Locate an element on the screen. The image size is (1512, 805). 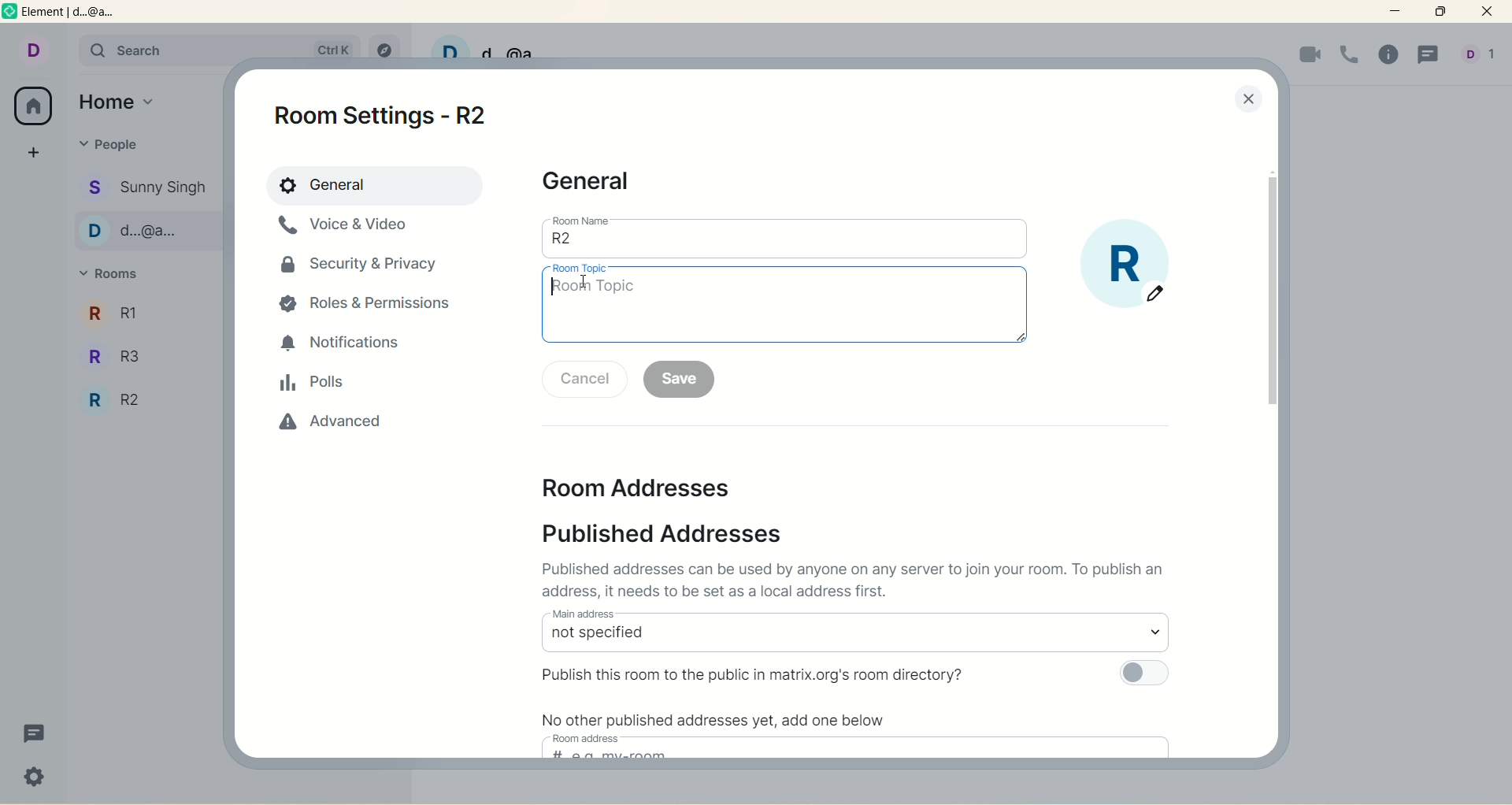
home is located at coordinates (120, 99).